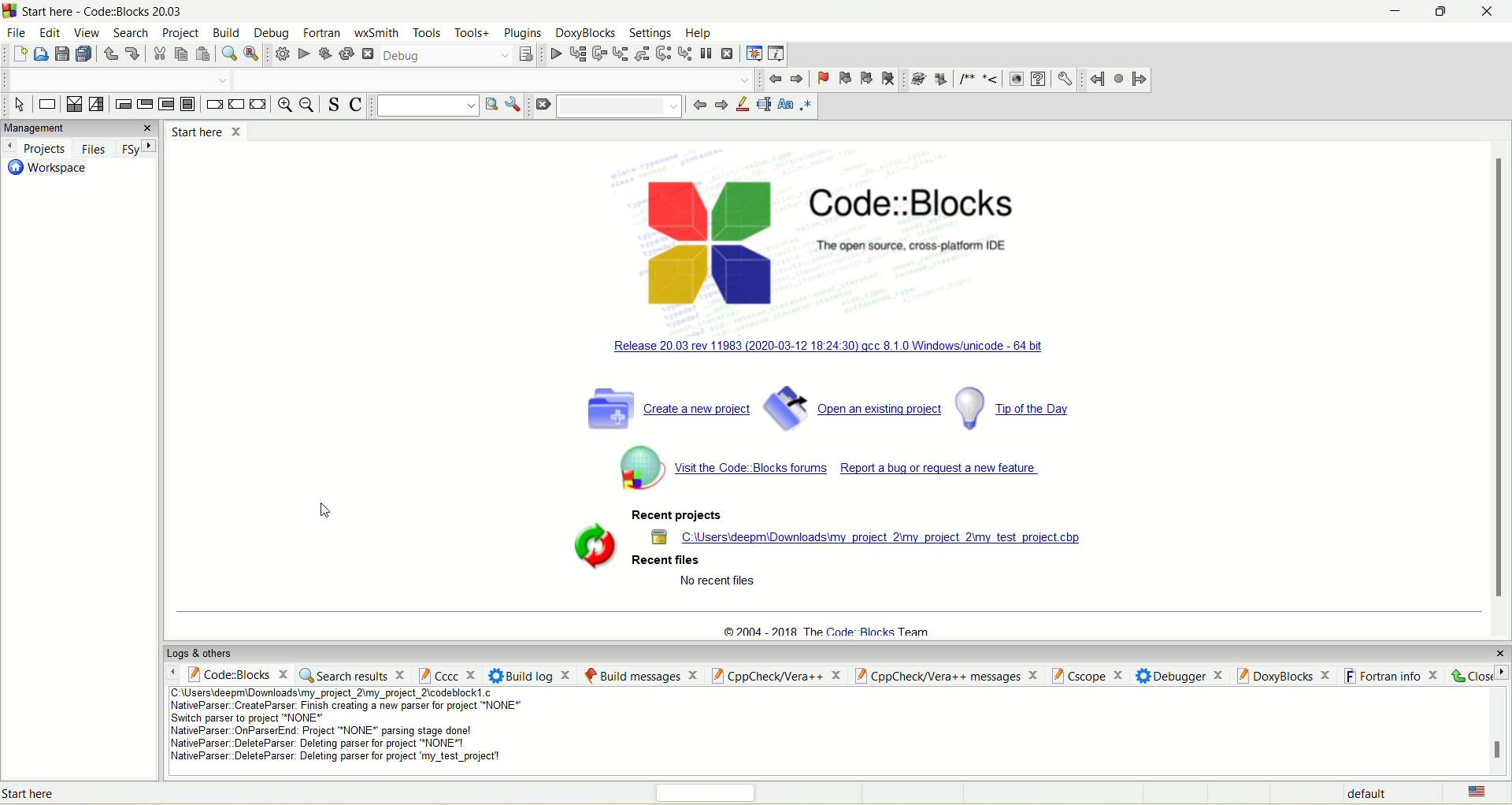  Describe the element at coordinates (205, 655) in the screenshot. I see `logs and others` at that location.